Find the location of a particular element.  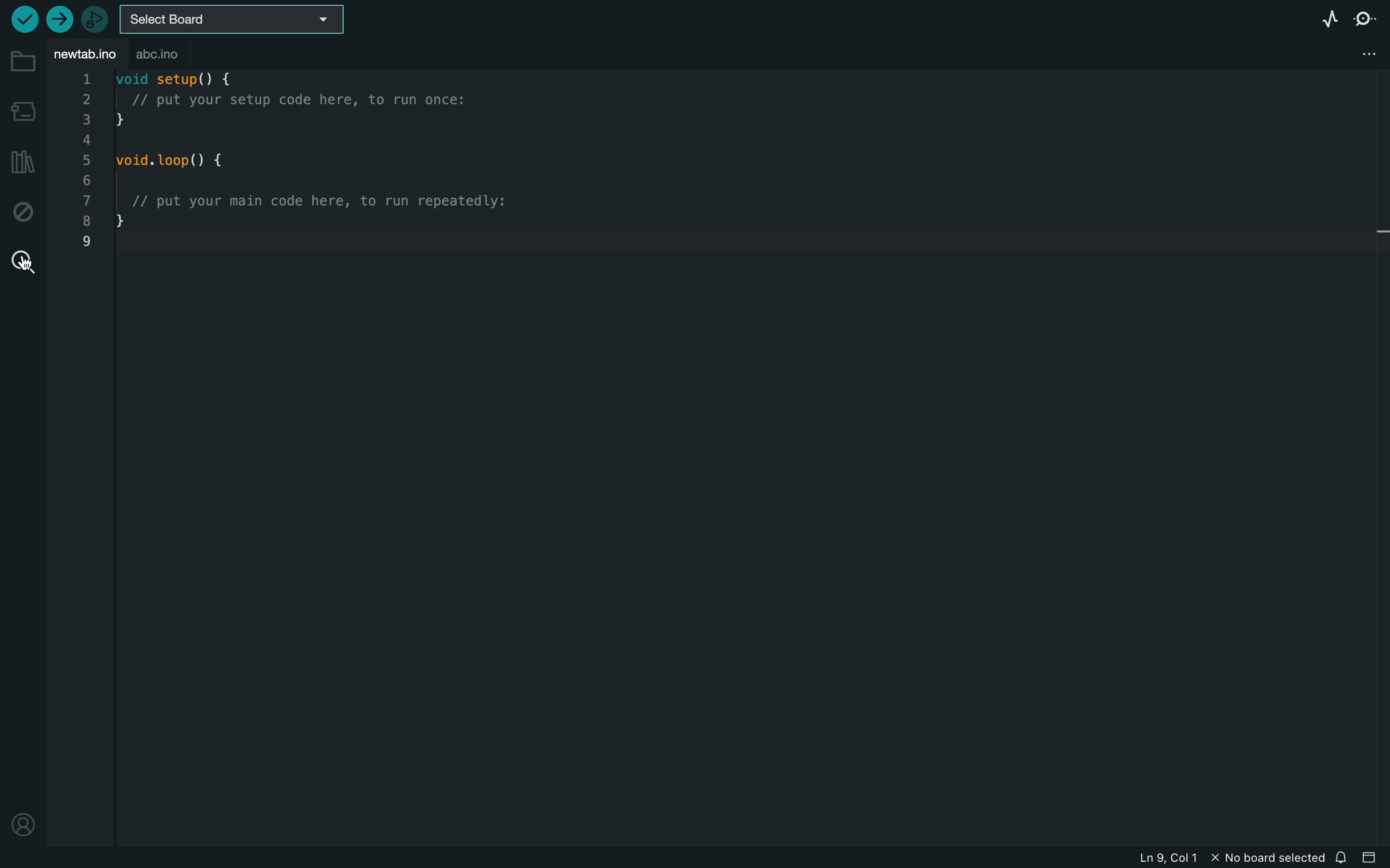

board selecter is located at coordinates (237, 19).